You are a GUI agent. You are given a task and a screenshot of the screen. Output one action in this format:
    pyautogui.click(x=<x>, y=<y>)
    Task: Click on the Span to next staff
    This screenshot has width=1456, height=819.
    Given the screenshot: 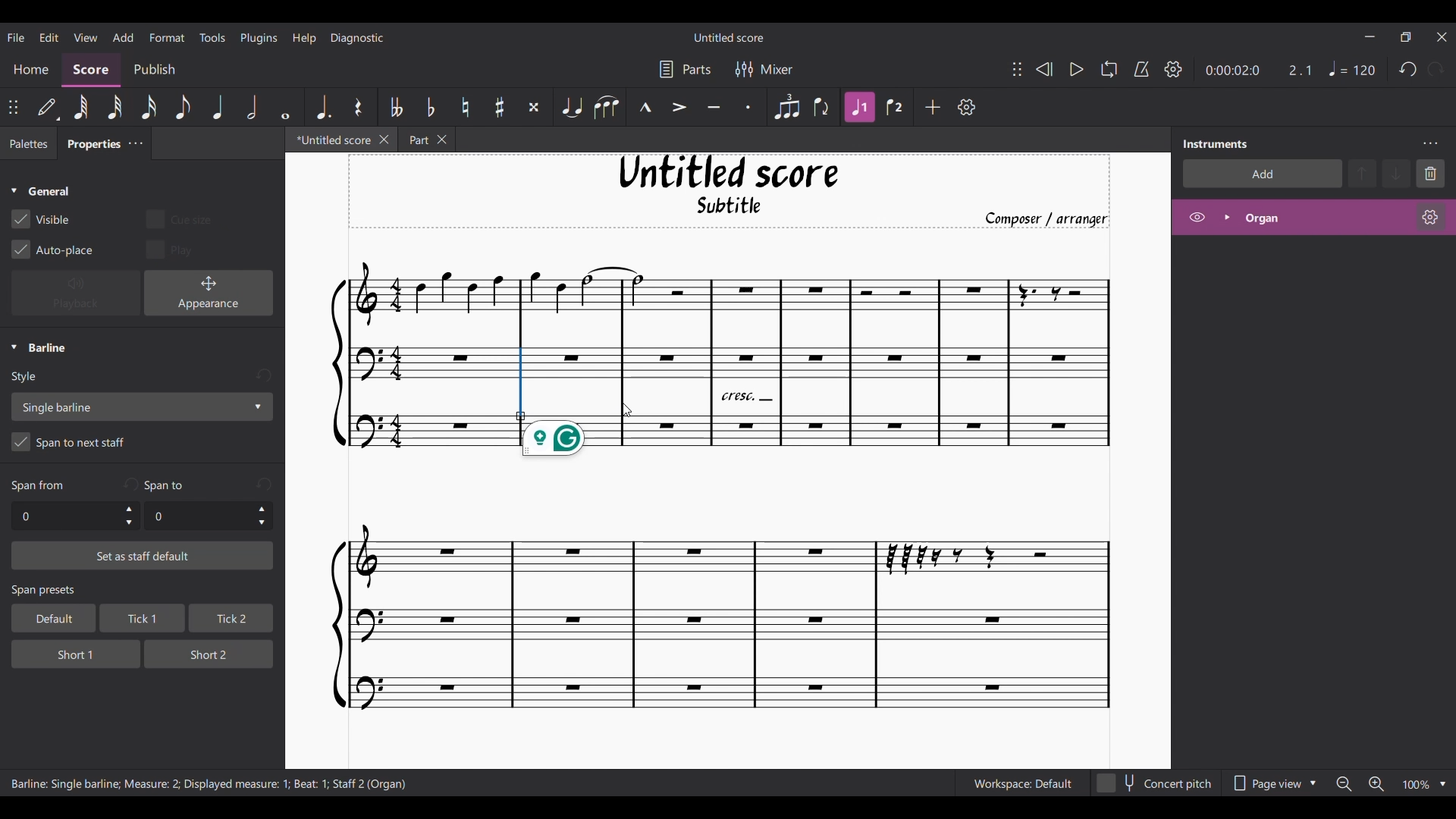 What is the action you would take?
    pyautogui.click(x=142, y=444)
    